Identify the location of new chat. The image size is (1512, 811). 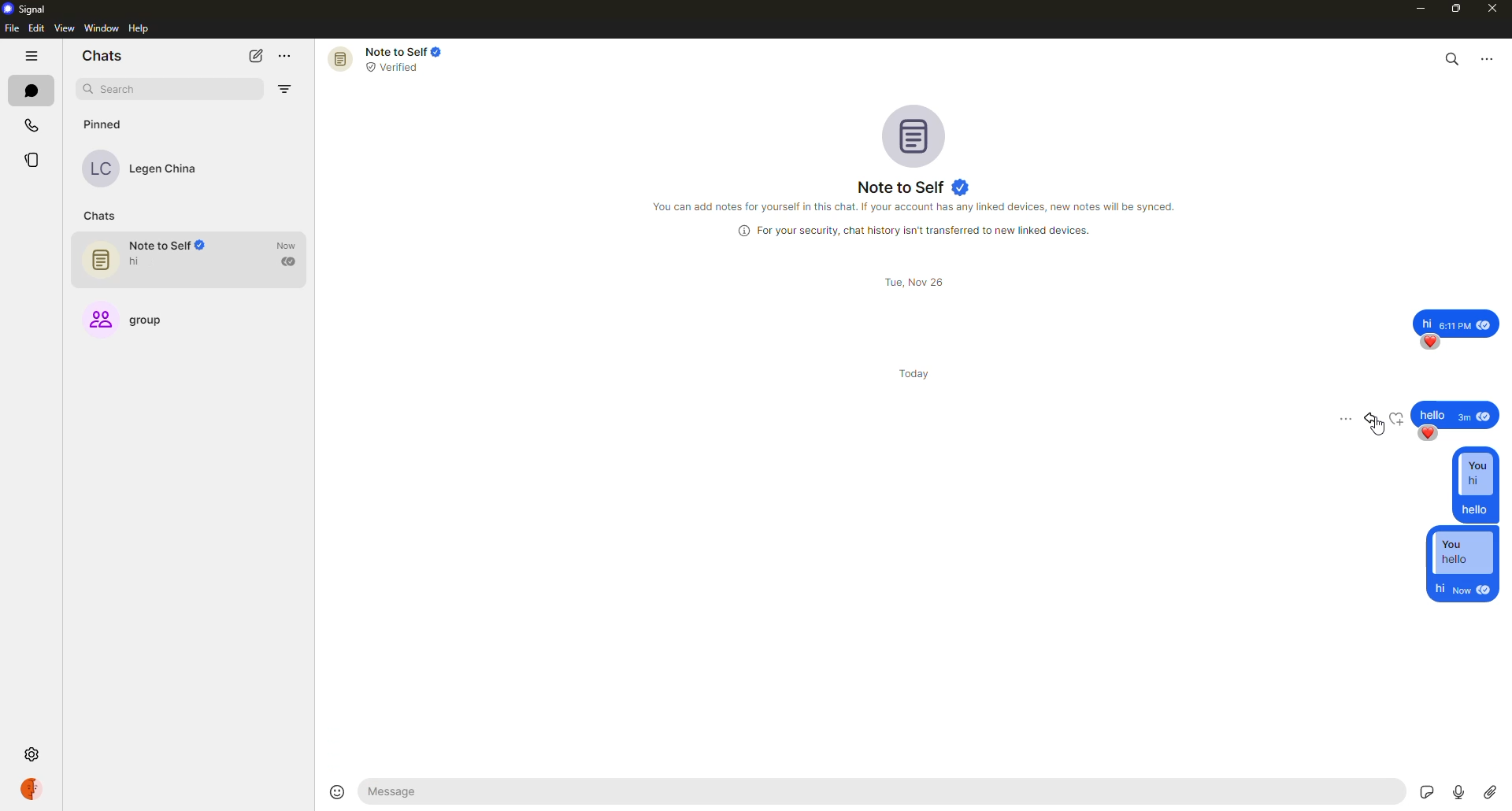
(256, 55).